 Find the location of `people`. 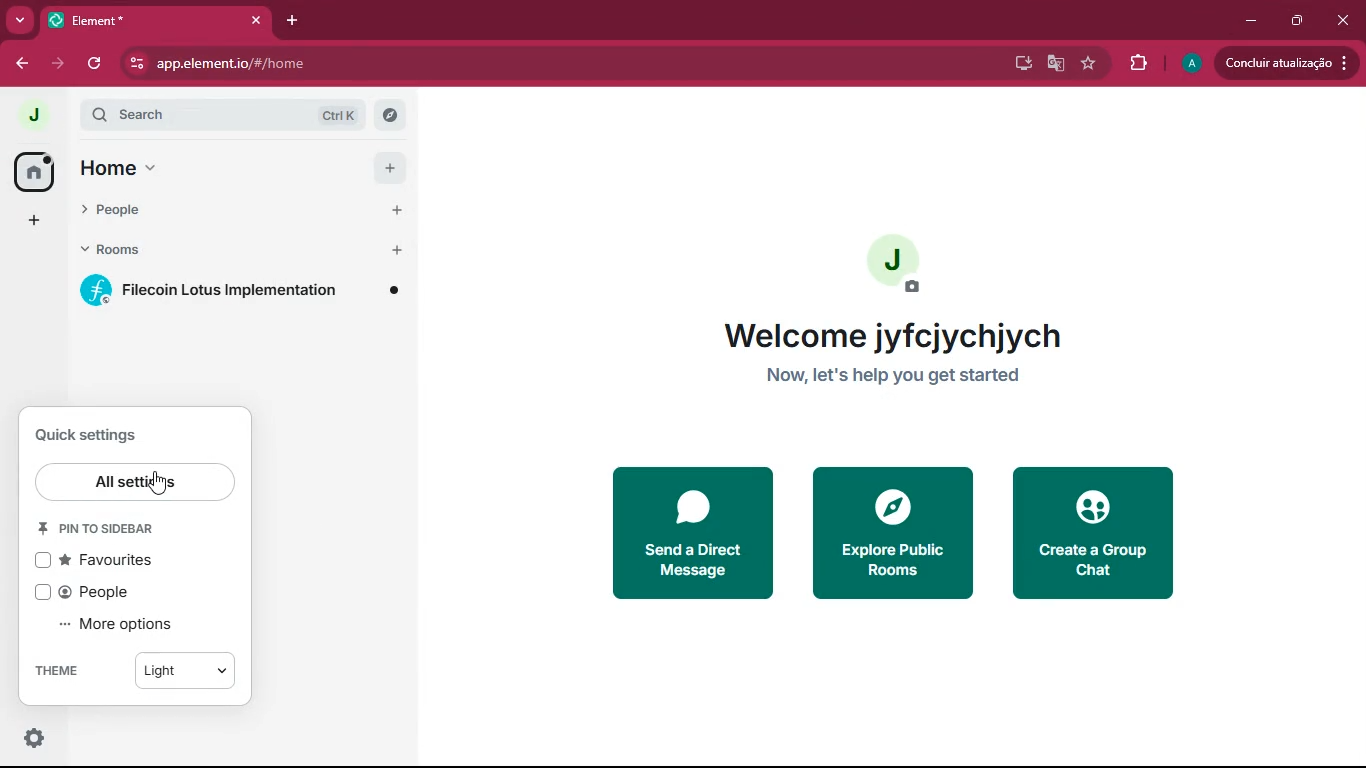

people is located at coordinates (205, 207).